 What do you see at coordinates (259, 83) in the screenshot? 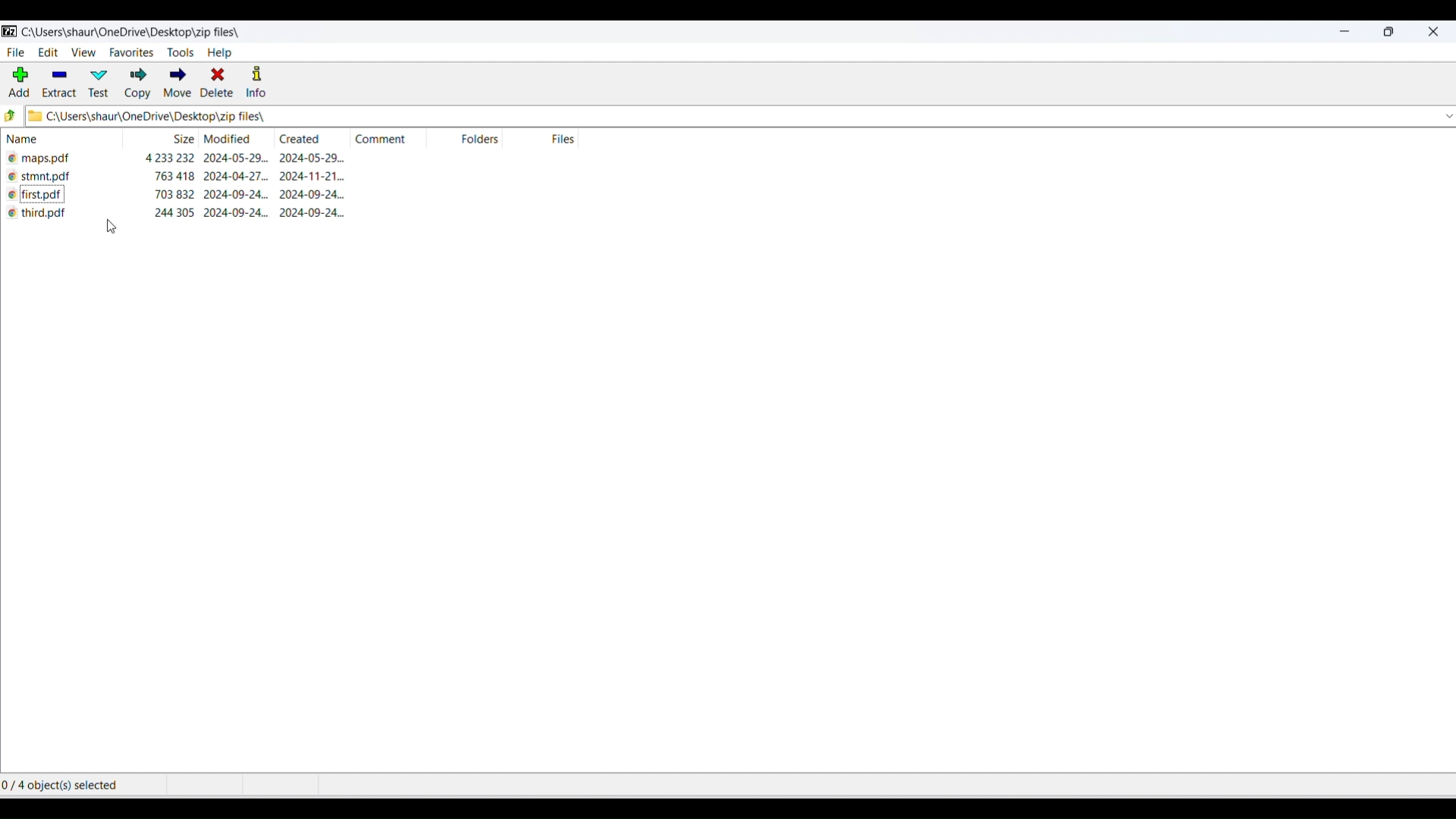
I see `info ` at bounding box center [259, 83].